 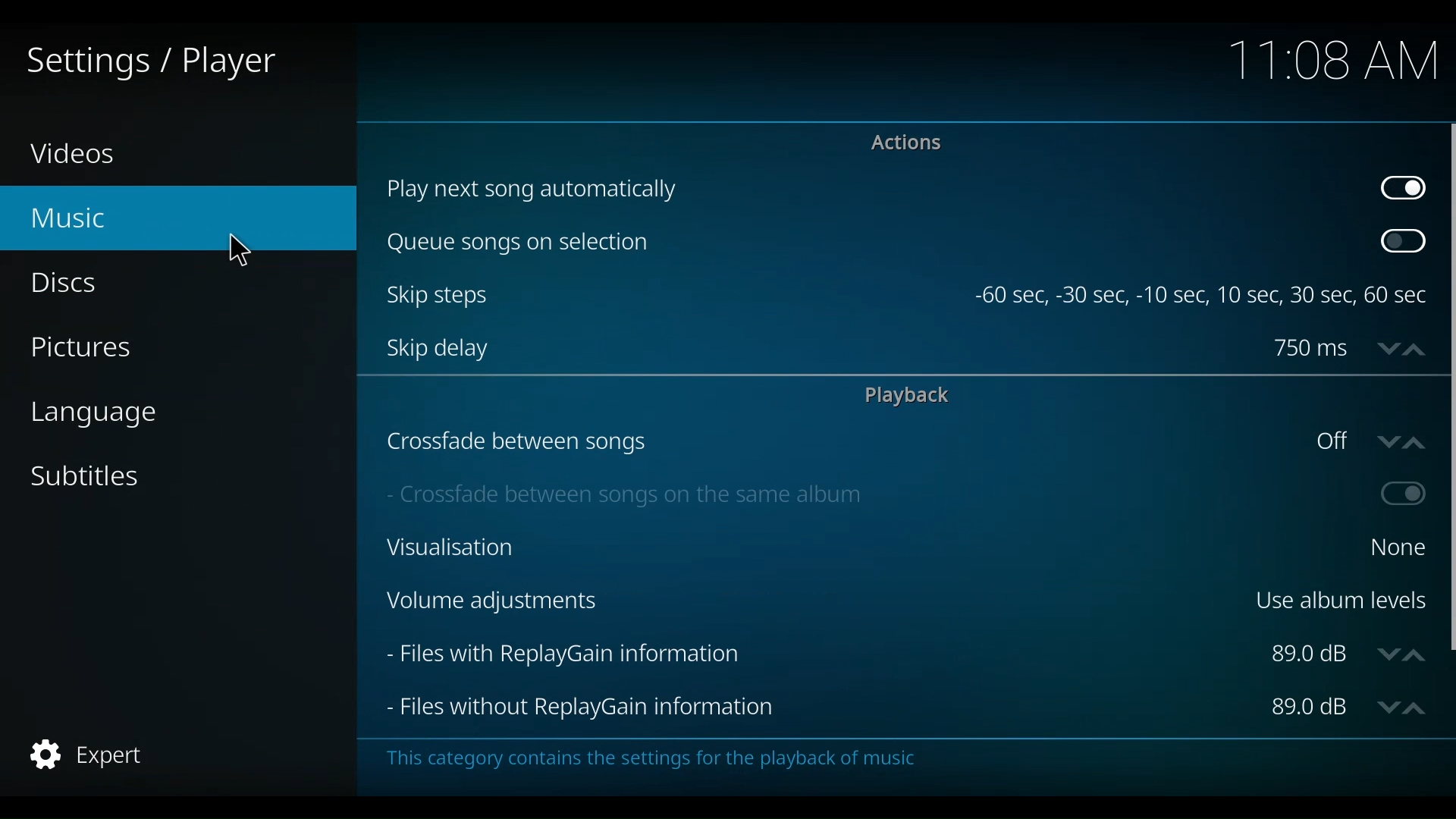 What do you see at coordinates (874, 244) in the screenshot?
I see `Queue songs on selection` at bounding box center [874, 244].